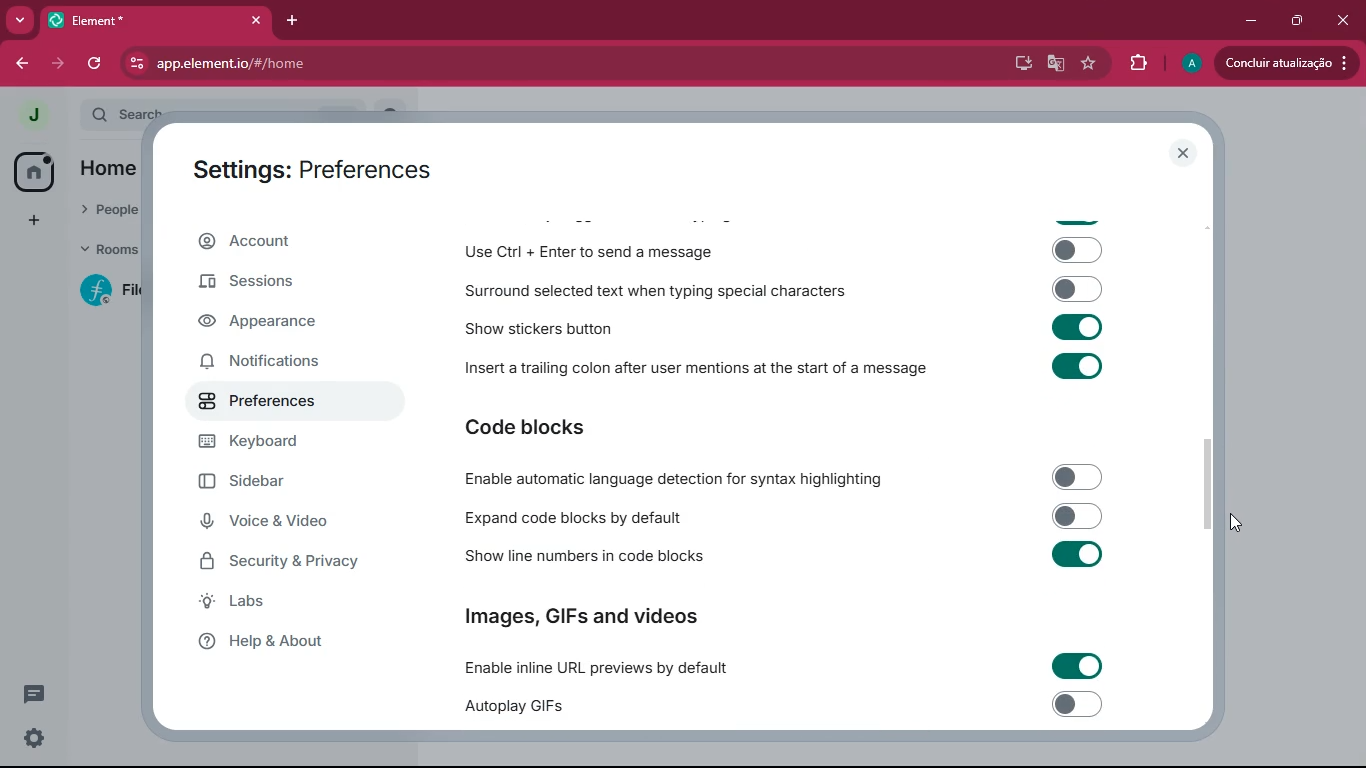  Describe the element at coordinates (1242, 523) in the screenshot. I see `cursor` at that location.